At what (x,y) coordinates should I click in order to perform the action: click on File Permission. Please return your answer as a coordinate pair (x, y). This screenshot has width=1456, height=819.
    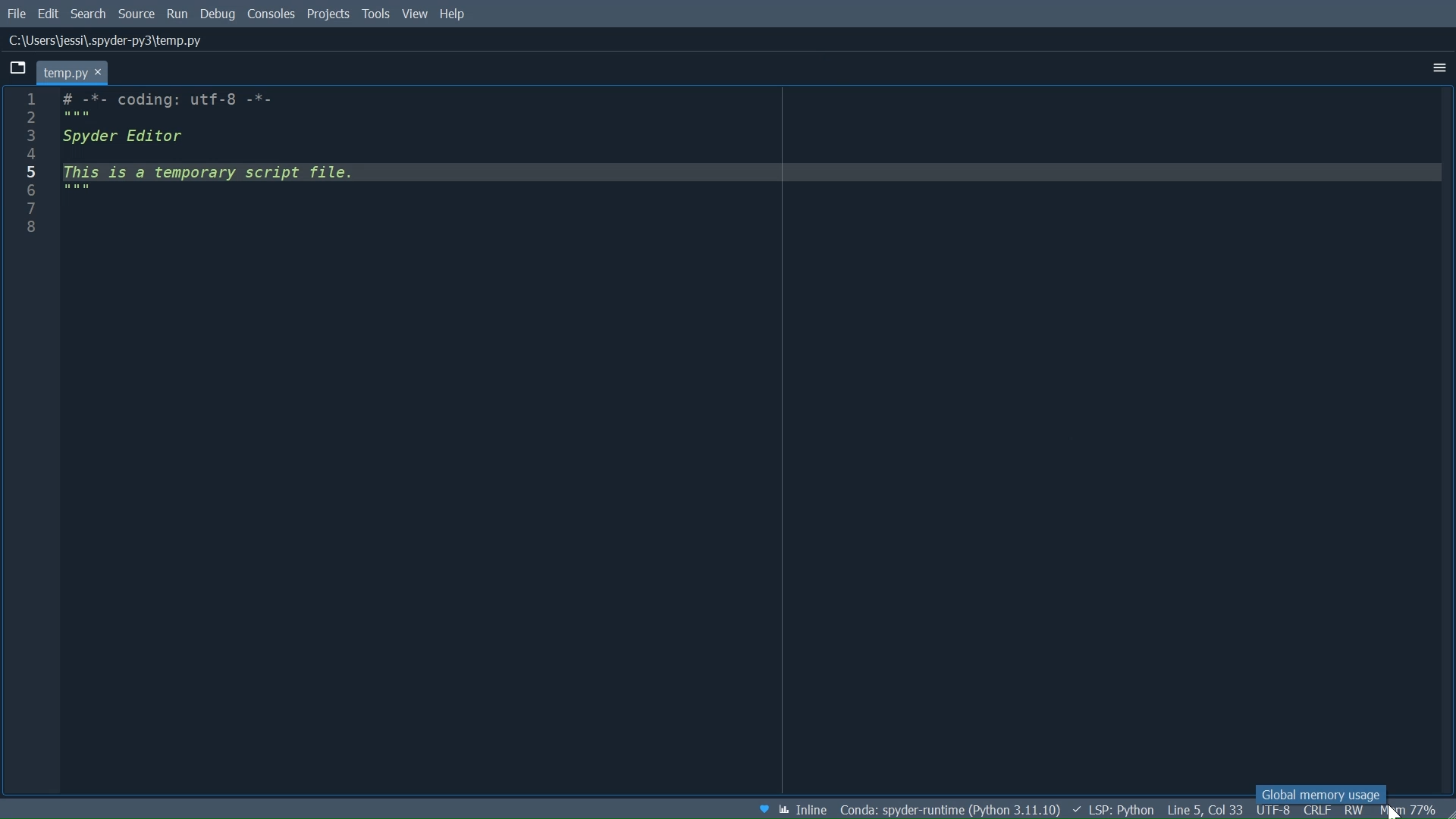
    Looking at the image, I should click on (1354, 810).